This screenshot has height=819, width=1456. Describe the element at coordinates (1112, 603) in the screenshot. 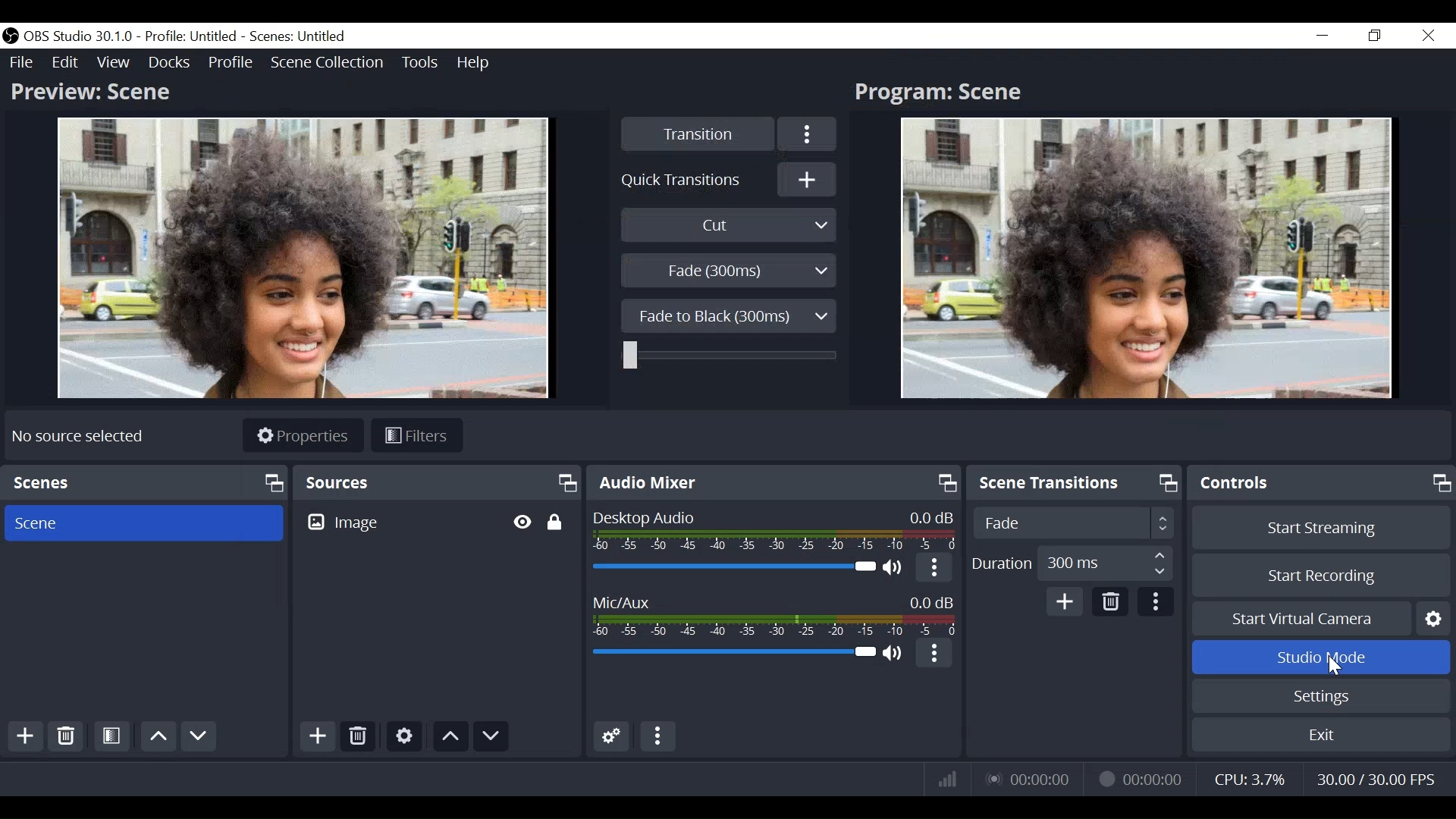

I see `Delete` at that location.